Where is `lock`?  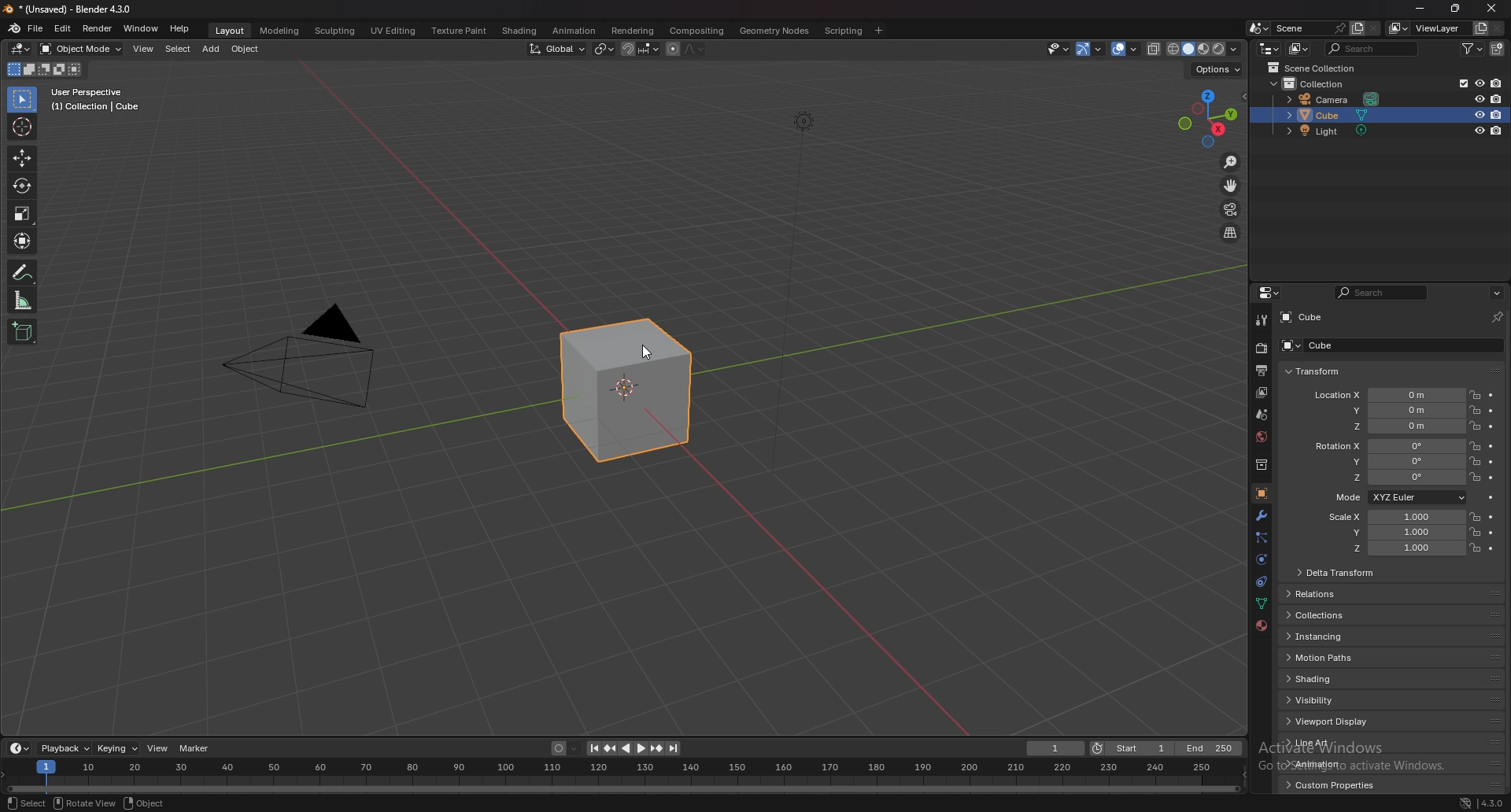
lock is located at coordinates (1475, 548).